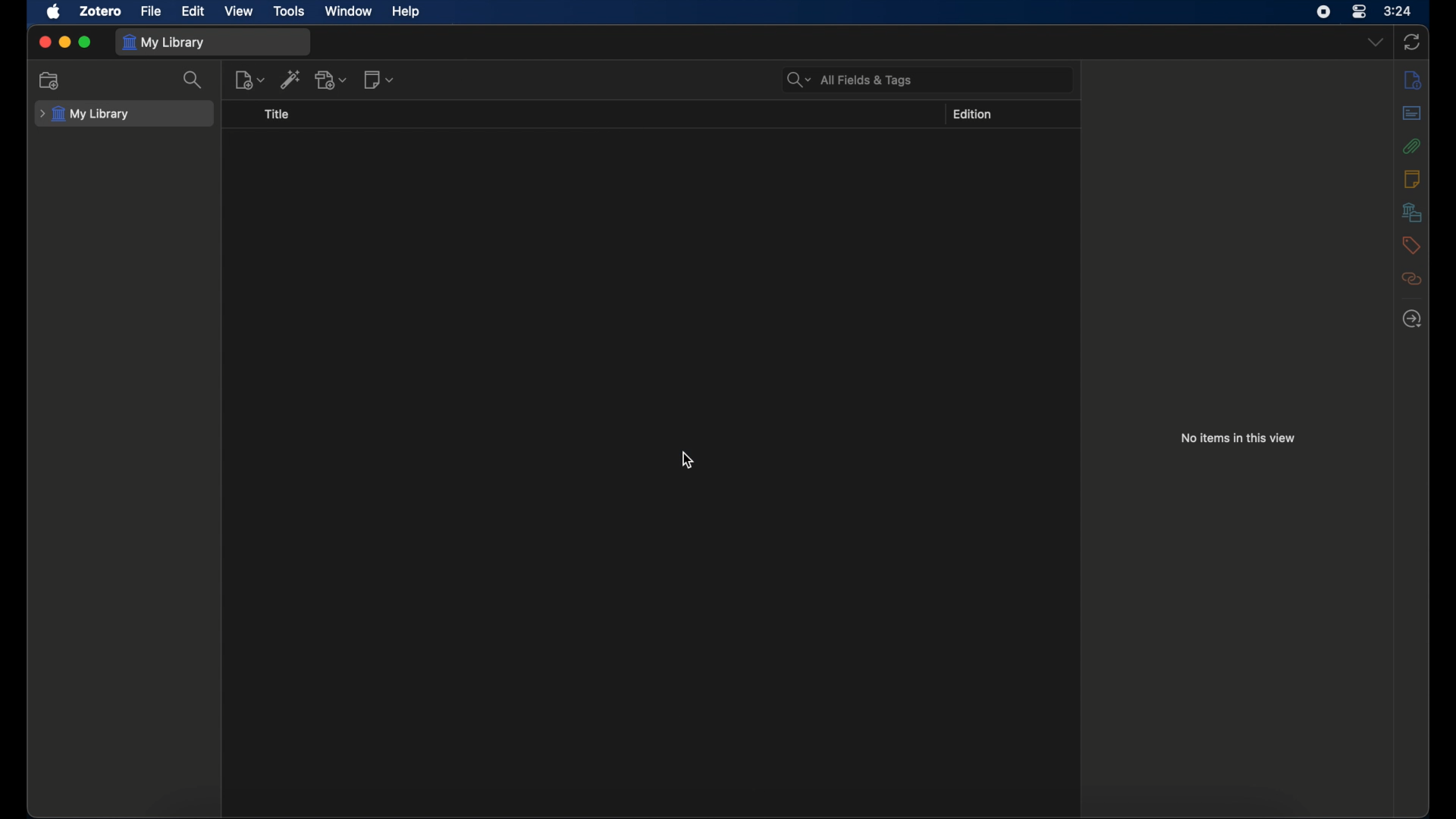 The width and height of the screenshot is (1456, 819). Describe the element at coordinates (194, 80) in the screenshot. I see `search` at that location.